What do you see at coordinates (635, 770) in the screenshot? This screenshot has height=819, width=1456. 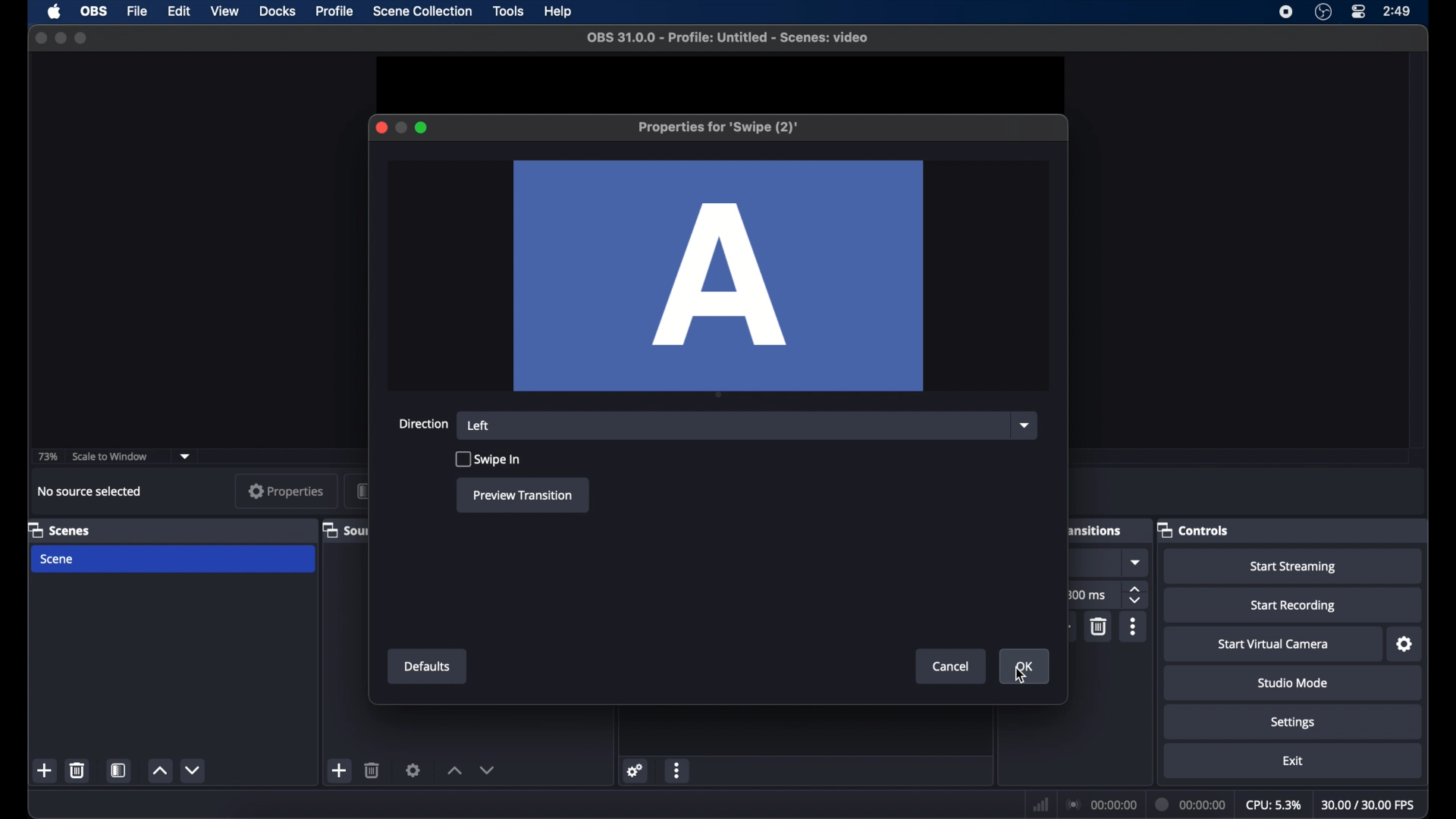 I see `settings` at bounding box center [635, 770].